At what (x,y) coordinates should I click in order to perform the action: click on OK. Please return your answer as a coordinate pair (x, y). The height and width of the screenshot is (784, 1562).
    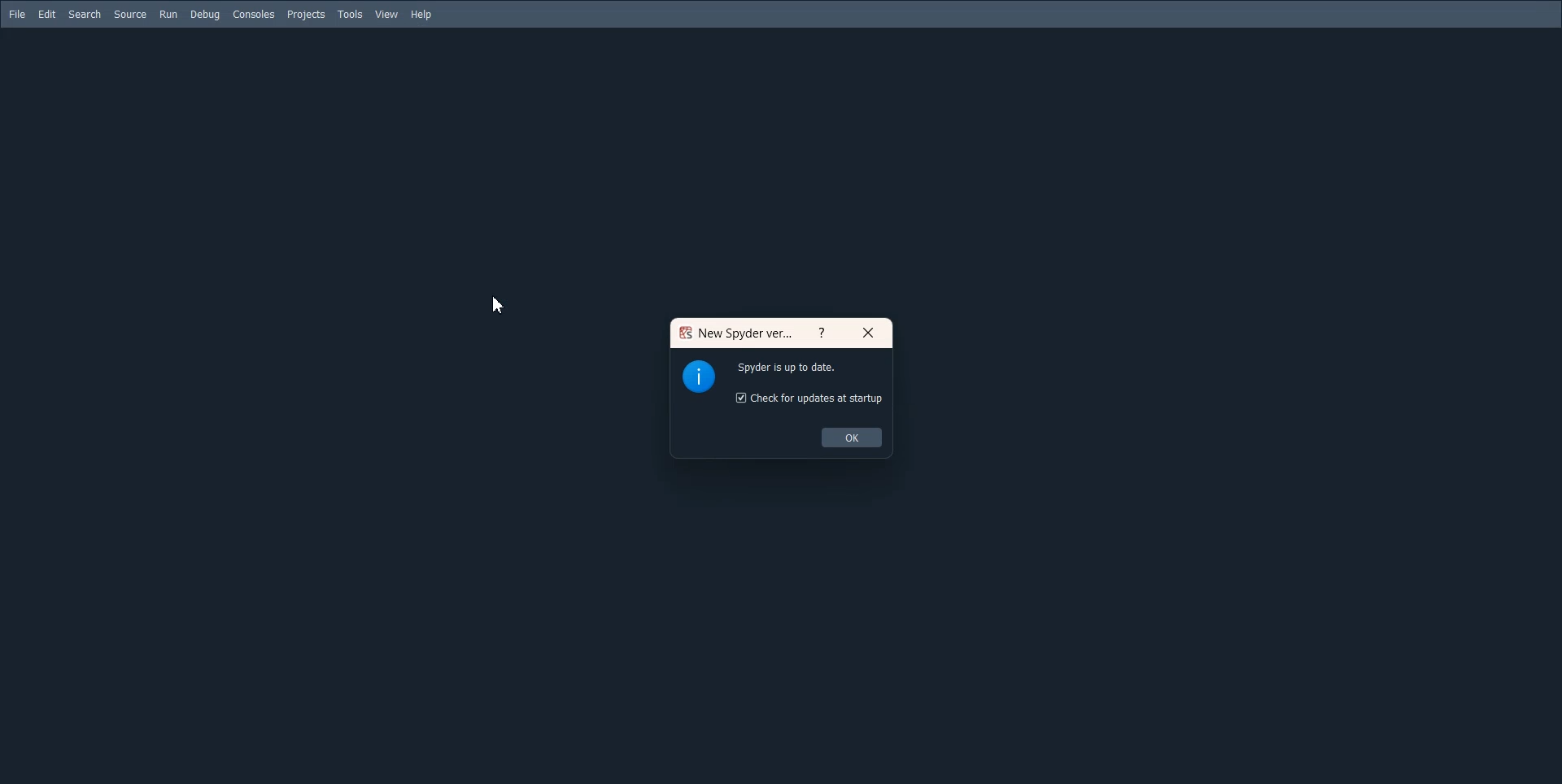
    Looking at the image, I should click on (852, 438).